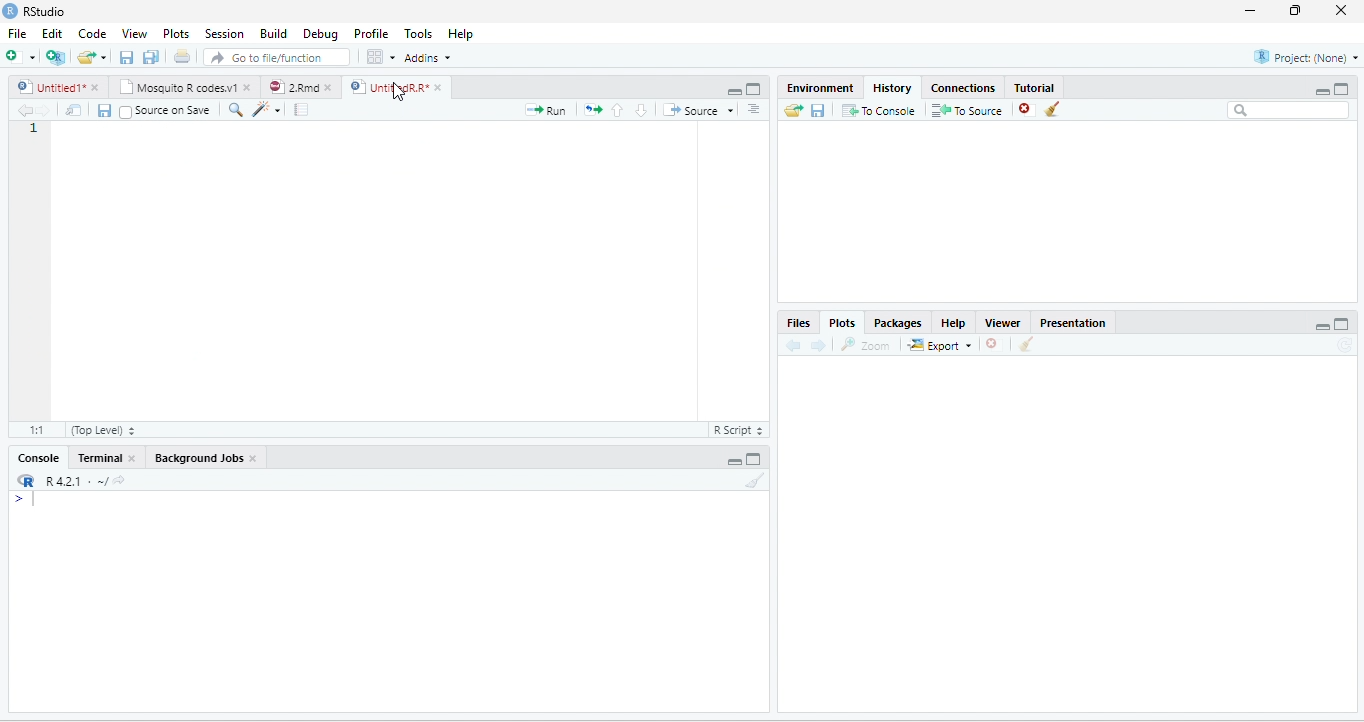 This screenshot has height=722, width=1364. What do you see at coordinates (268, 110) in the screenshot?
I see `Code tools` at bounding box center [268, 110].